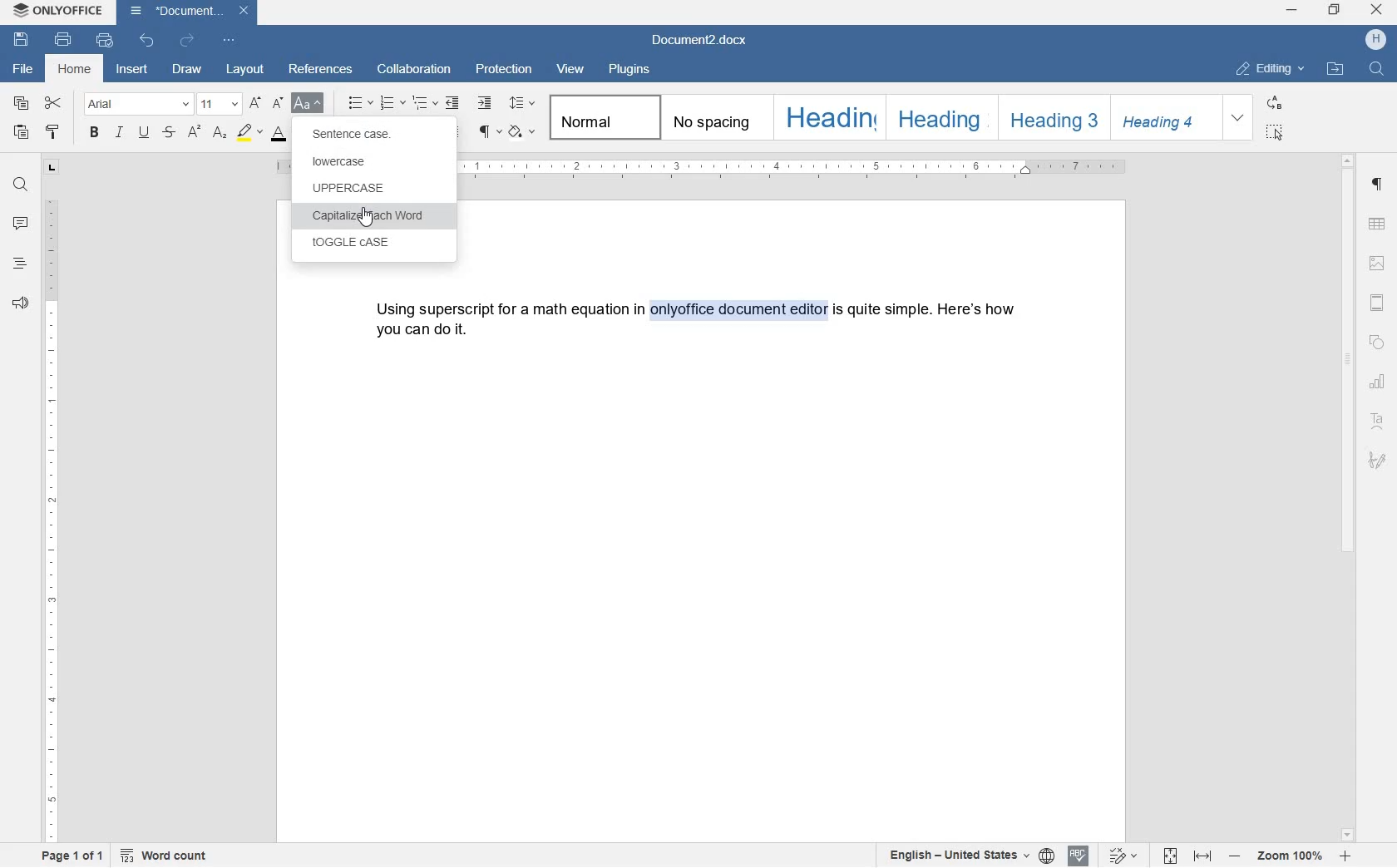 The image size is (1397, 868). I want to click on capitalize each word, so click(368, 215).